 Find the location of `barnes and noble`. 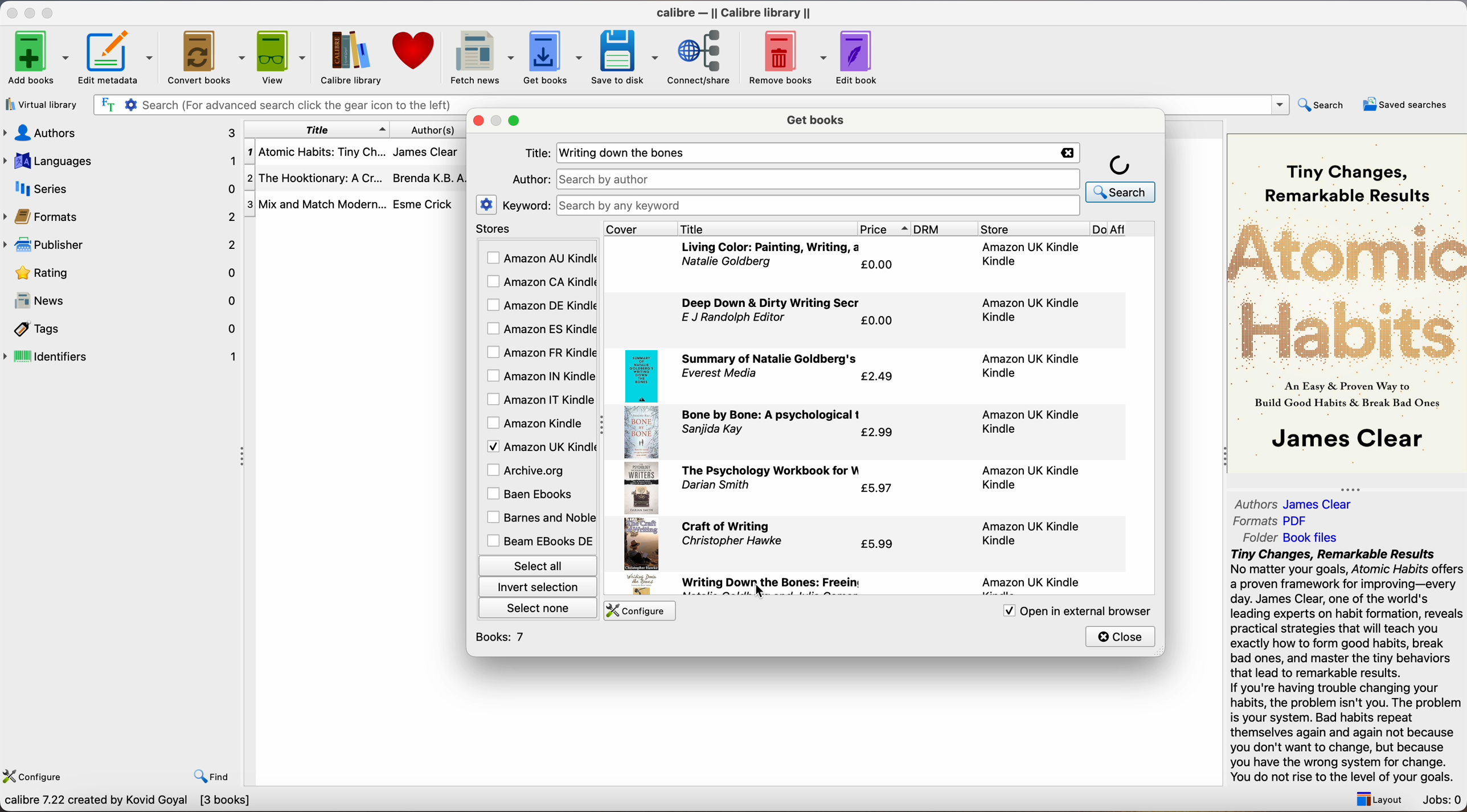

barnes and noble is located at coordinates (538, 518).